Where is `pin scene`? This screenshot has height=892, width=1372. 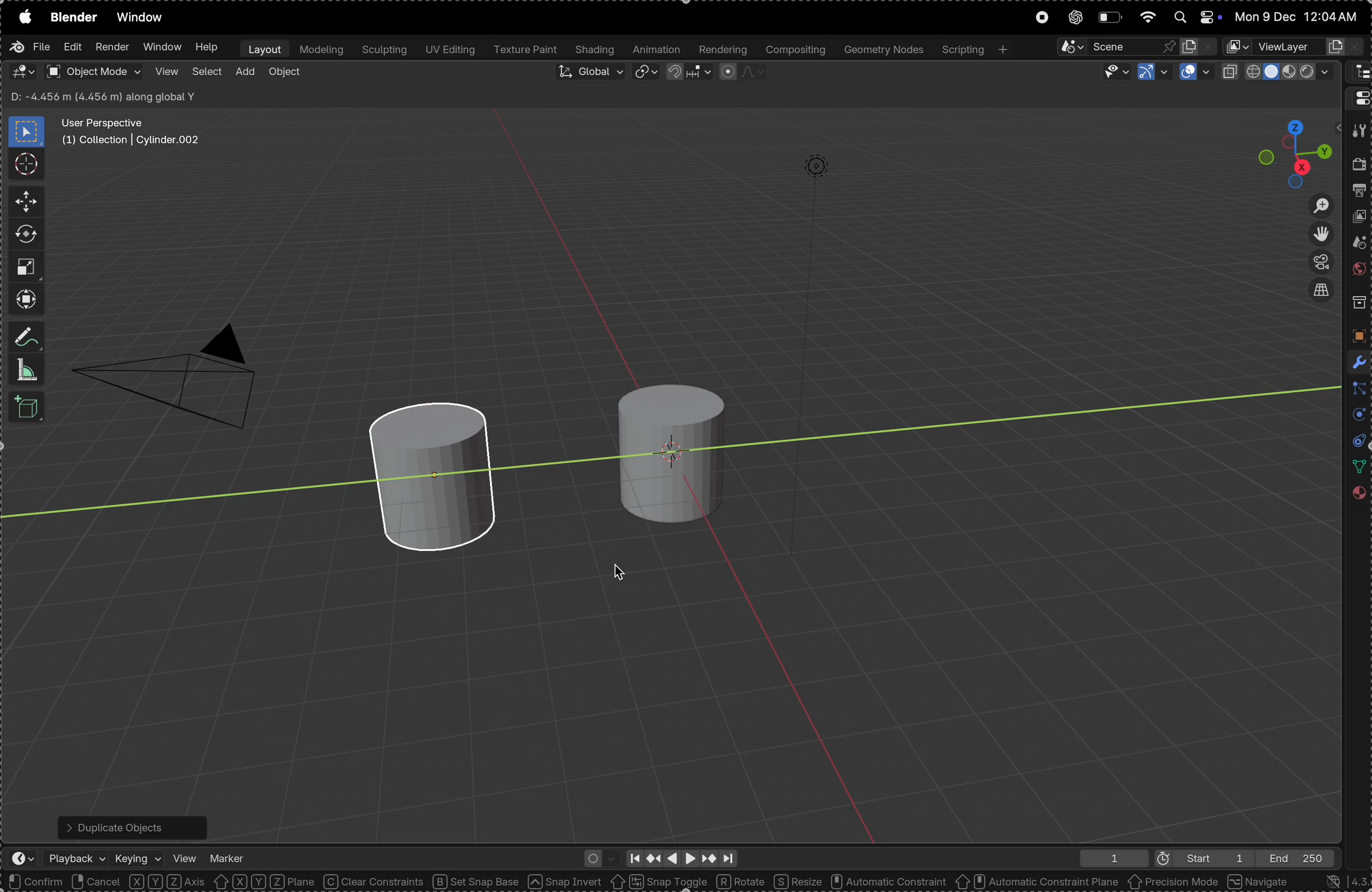
pin scene is located at coordinates (1113, 46).